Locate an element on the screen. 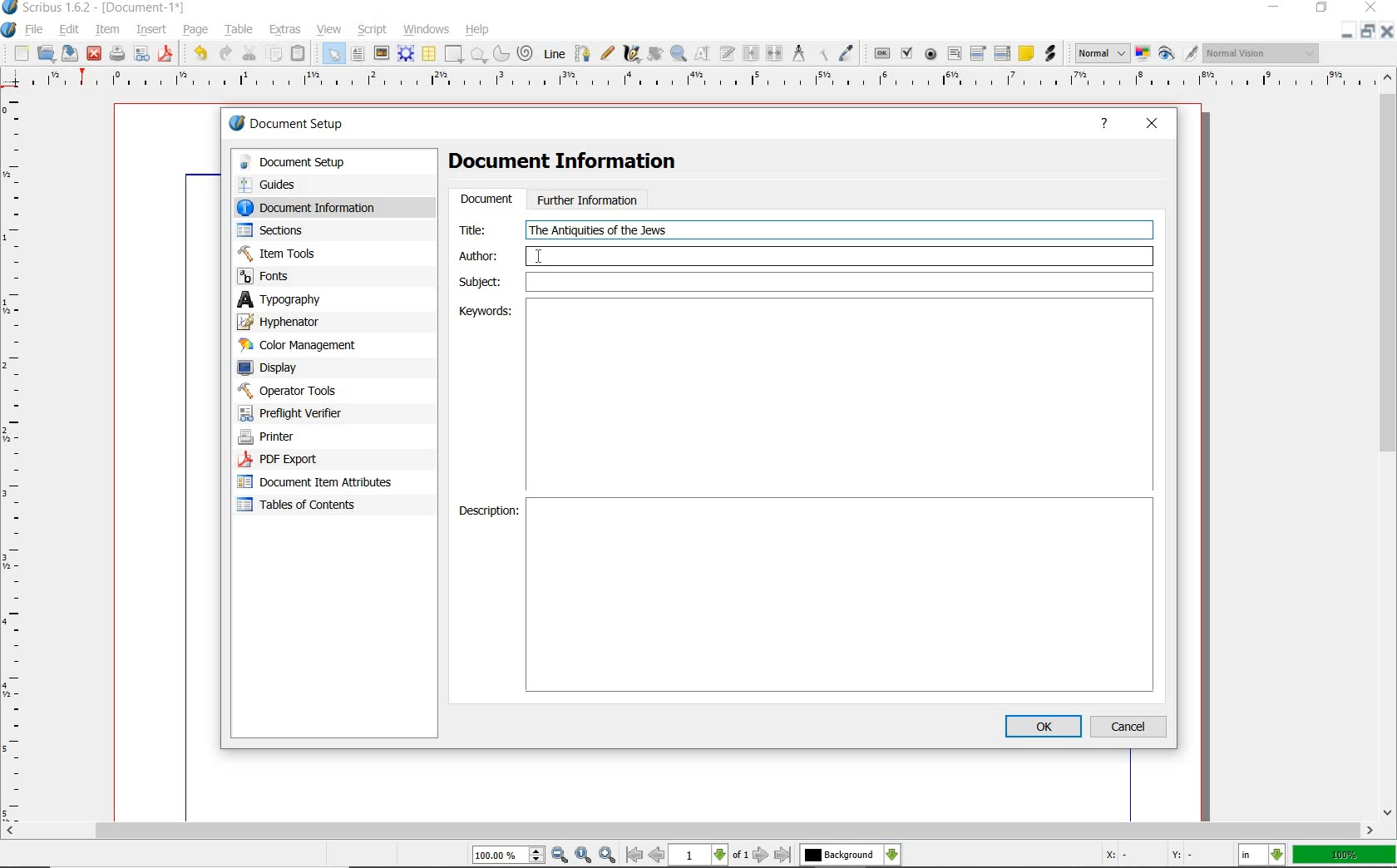 Image resolution: width=1397 pixels, height=868 pixels. copy item properties is located at coordinates (821, 54).